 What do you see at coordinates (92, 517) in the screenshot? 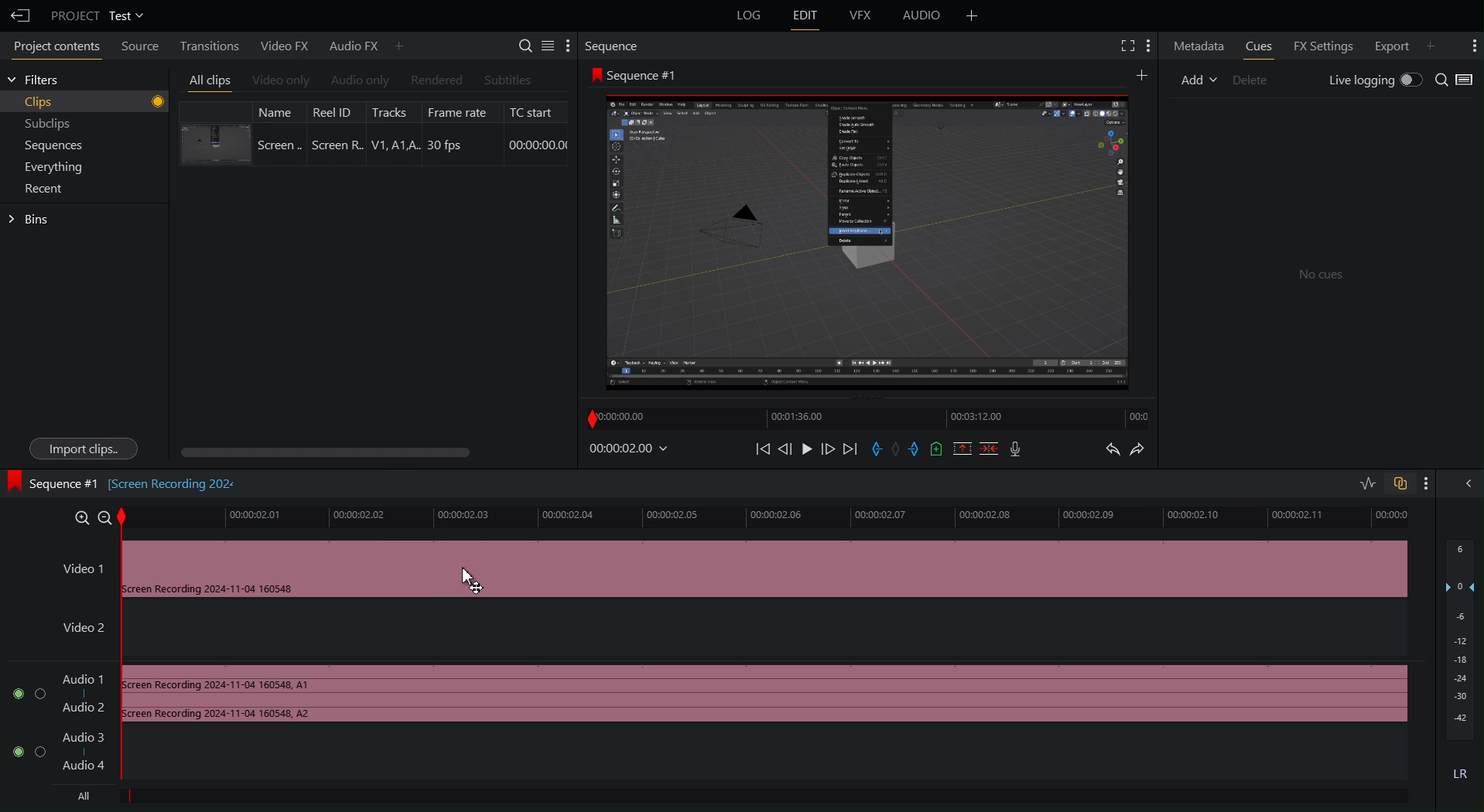
I see `Zoom` at bounding box center [92, 517].